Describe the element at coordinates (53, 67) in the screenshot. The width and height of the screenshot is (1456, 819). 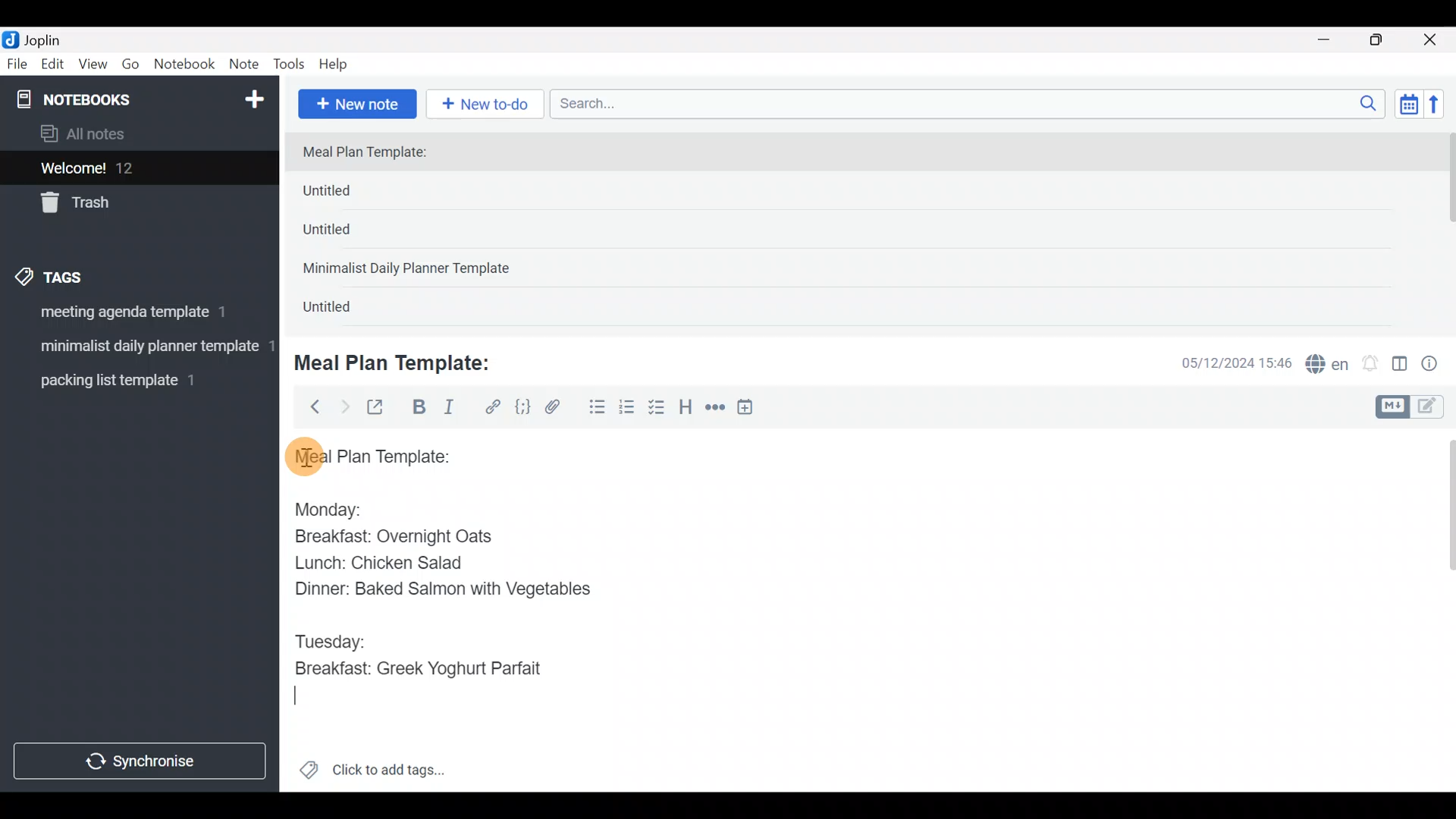
I see `Edit` at that location.